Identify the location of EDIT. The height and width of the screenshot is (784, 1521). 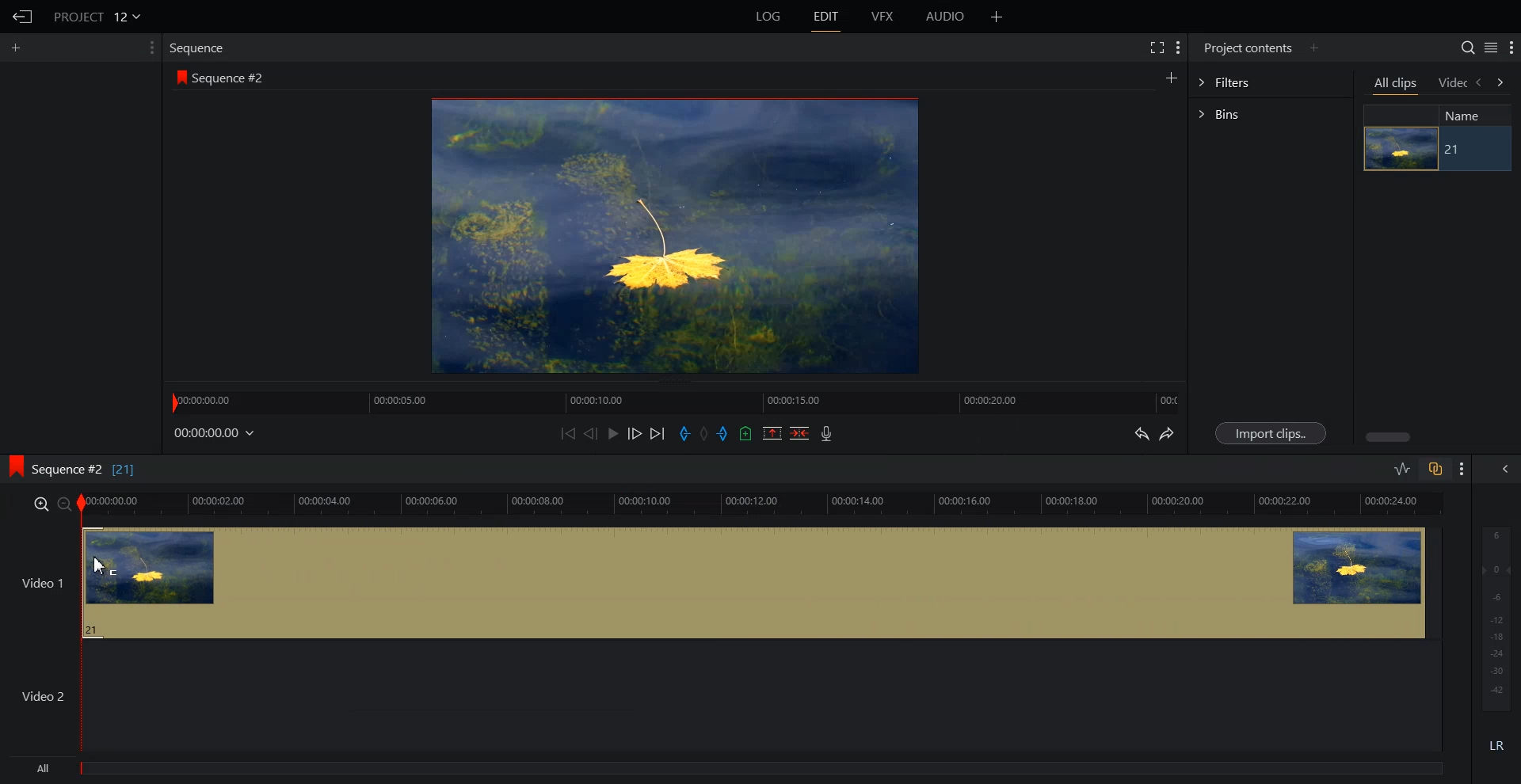
(829, 17).